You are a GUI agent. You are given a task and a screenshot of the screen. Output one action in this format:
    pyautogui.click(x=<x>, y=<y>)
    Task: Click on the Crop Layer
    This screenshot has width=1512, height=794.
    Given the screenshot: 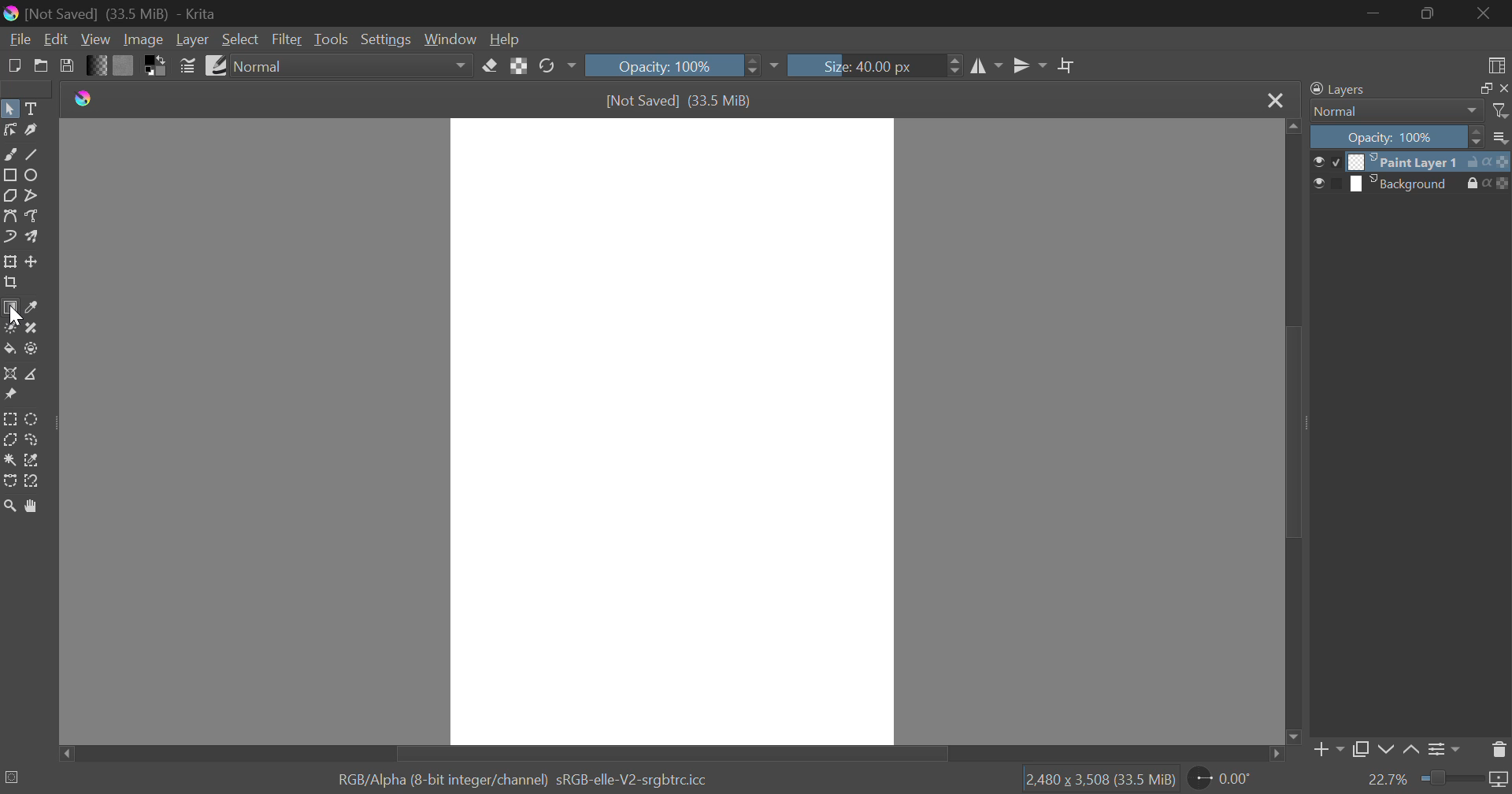 What is the action you would take?
    pyautogui.click(x=9, y=284)
    